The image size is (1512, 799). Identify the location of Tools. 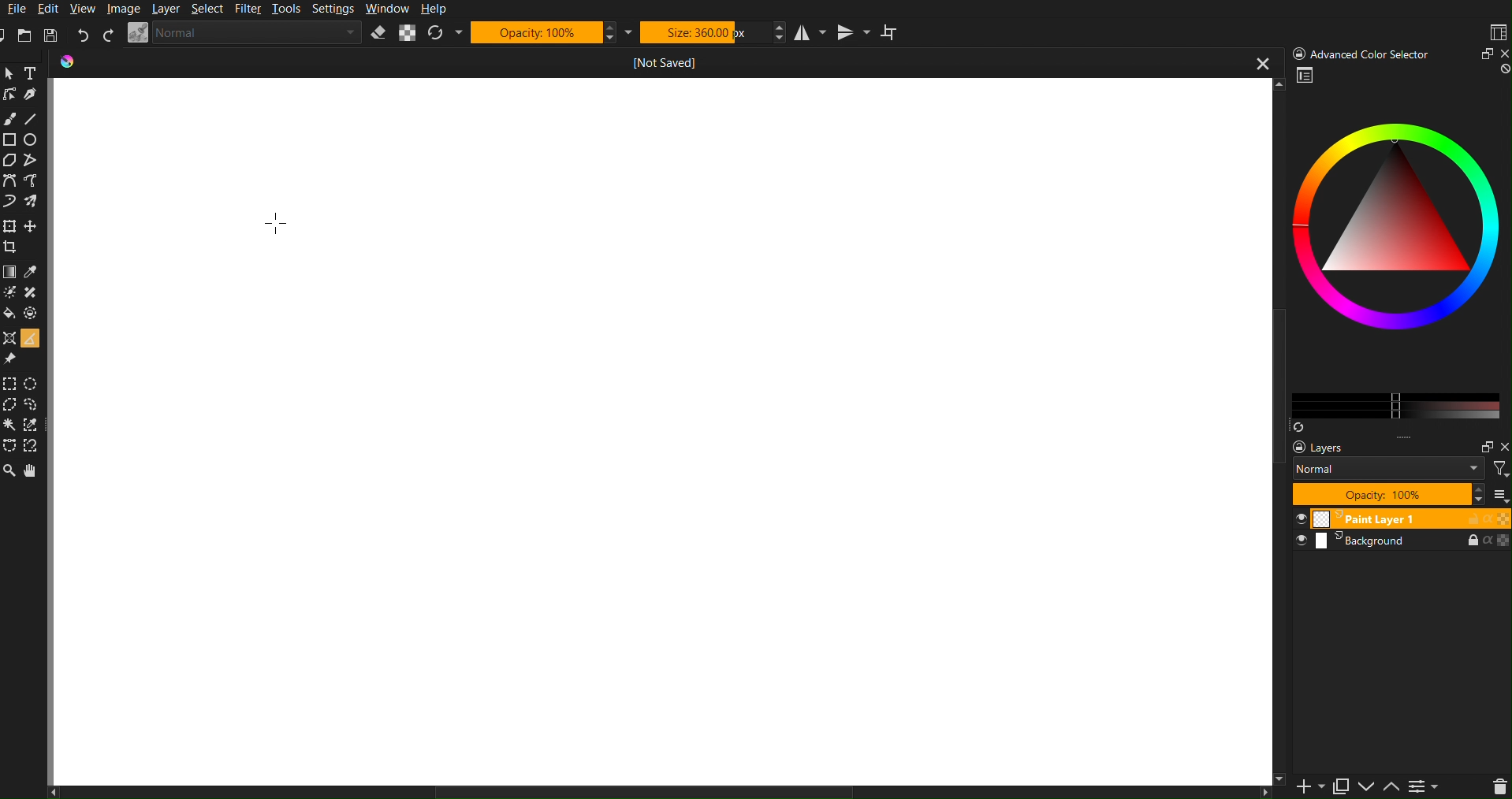
(289, 10).